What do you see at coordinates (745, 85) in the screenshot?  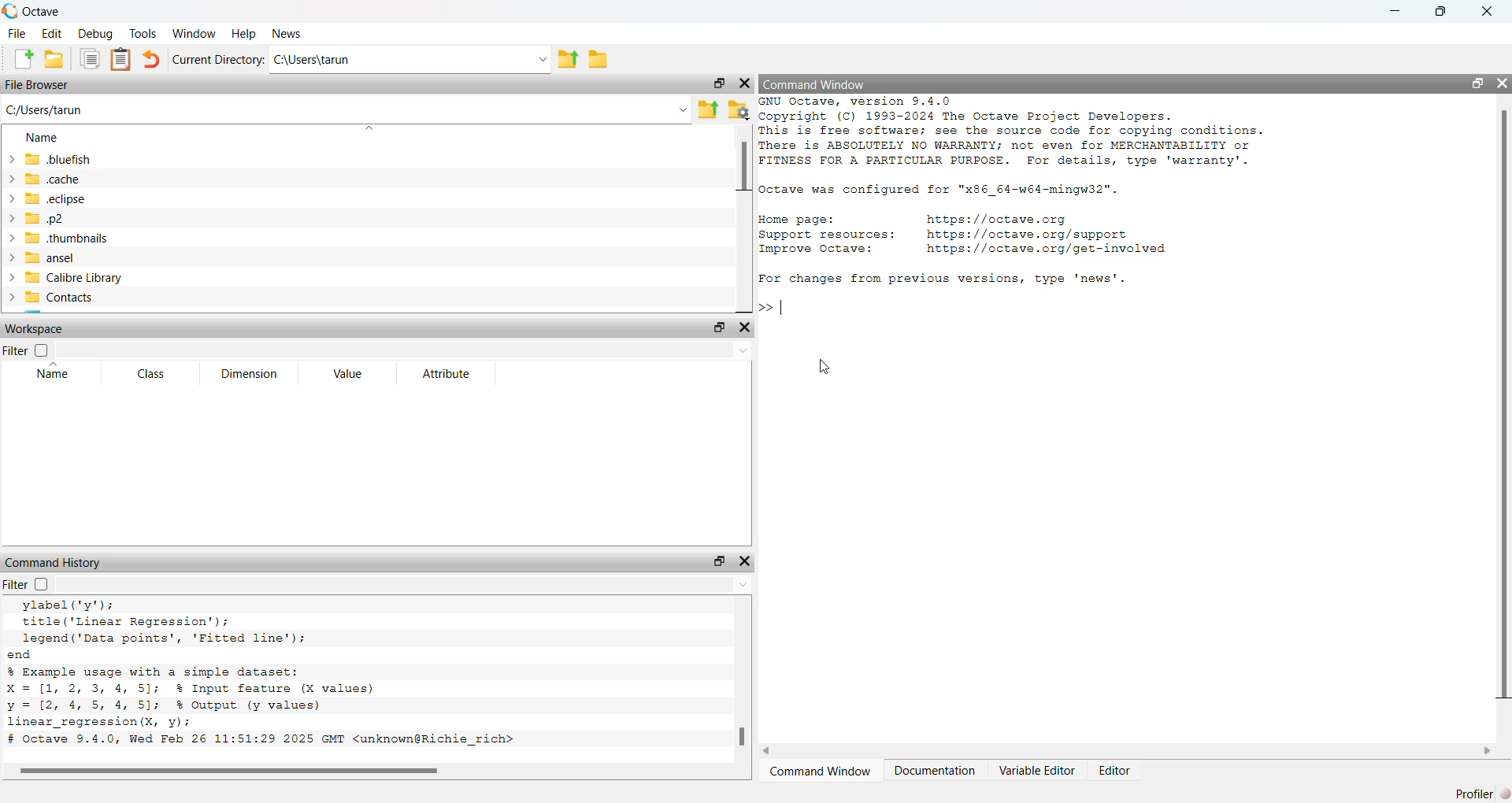 I see `close widget` at bounding box center [745, 85].